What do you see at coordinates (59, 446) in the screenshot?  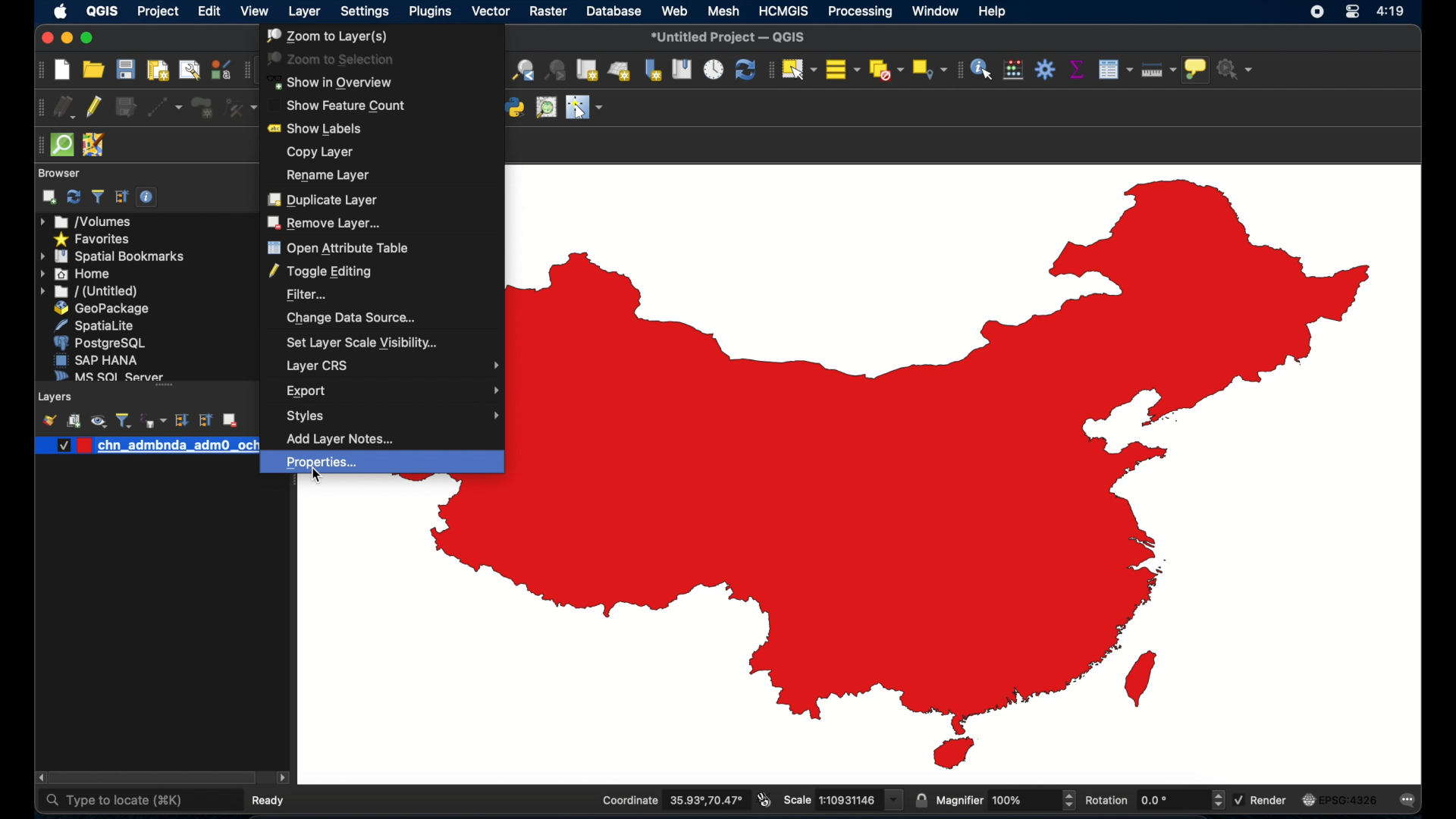 I see `Checkbox` at bounding box center [59, 446].